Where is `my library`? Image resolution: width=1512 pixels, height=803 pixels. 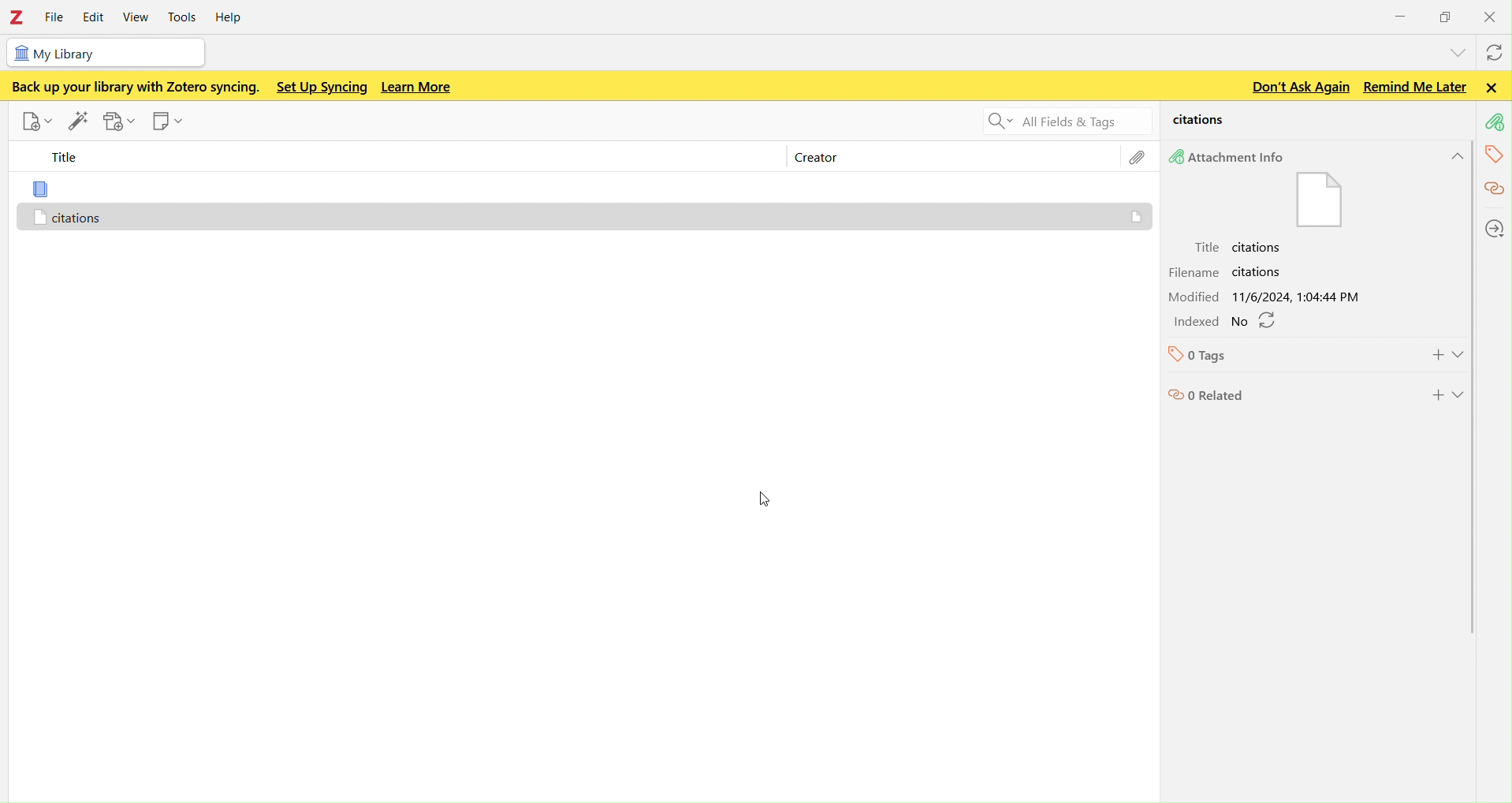
my library is located at coordinates (104, 54).